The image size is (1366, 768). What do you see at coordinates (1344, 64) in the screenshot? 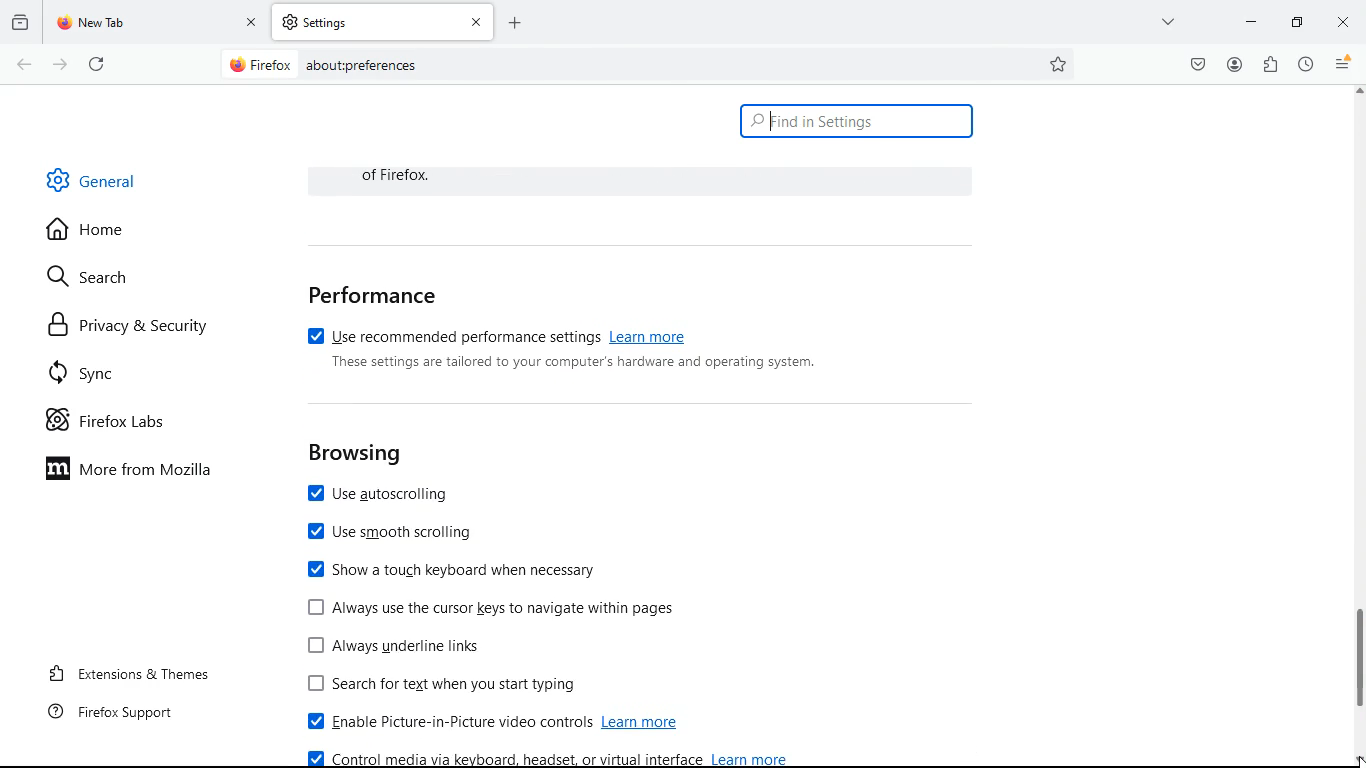
I see `menu` at bounding box center [1344, 64].